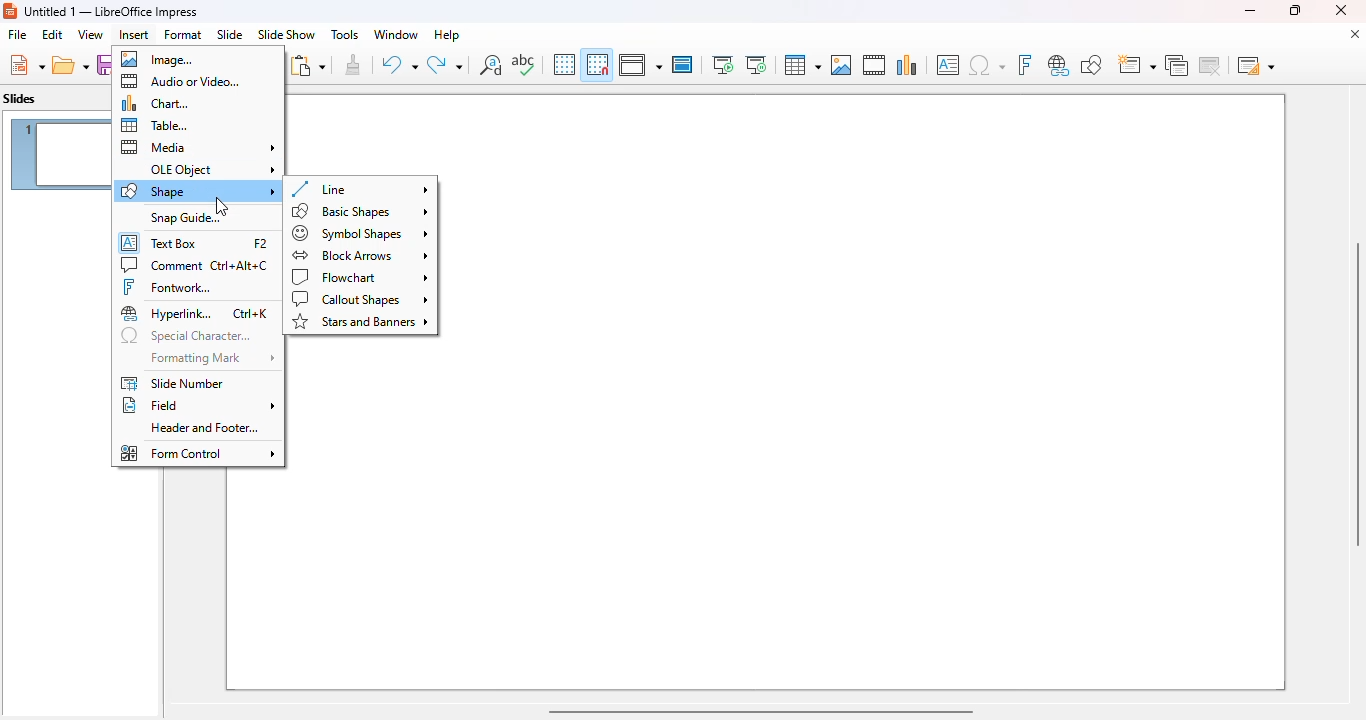  What do you see at coordinates (157, 59) in the screenshot?
I see `image` at bounding box center [157, 59].